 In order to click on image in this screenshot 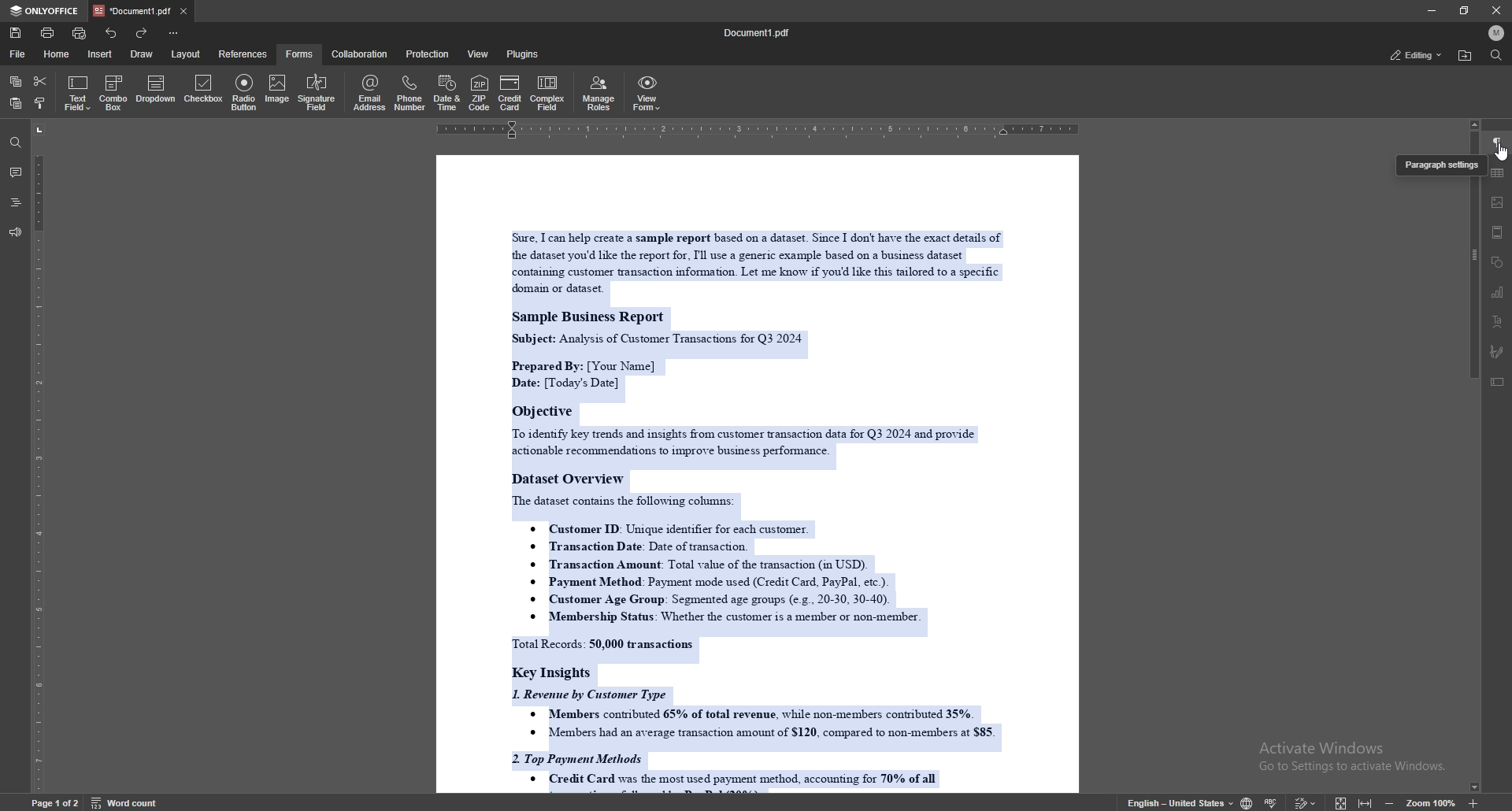, I will do `click(276, 91)`.